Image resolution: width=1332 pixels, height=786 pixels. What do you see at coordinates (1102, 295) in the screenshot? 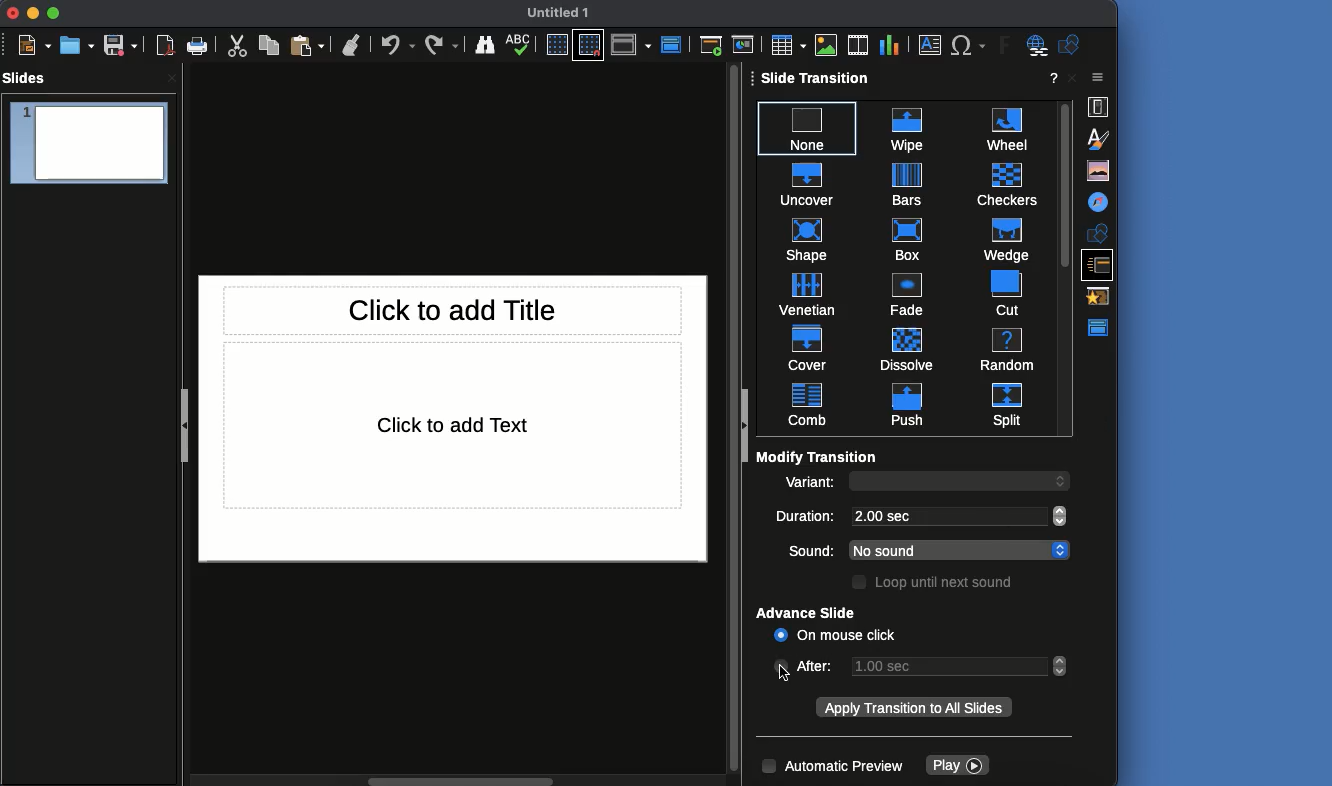
I see `Animations` at bounding box center [1102, 295].